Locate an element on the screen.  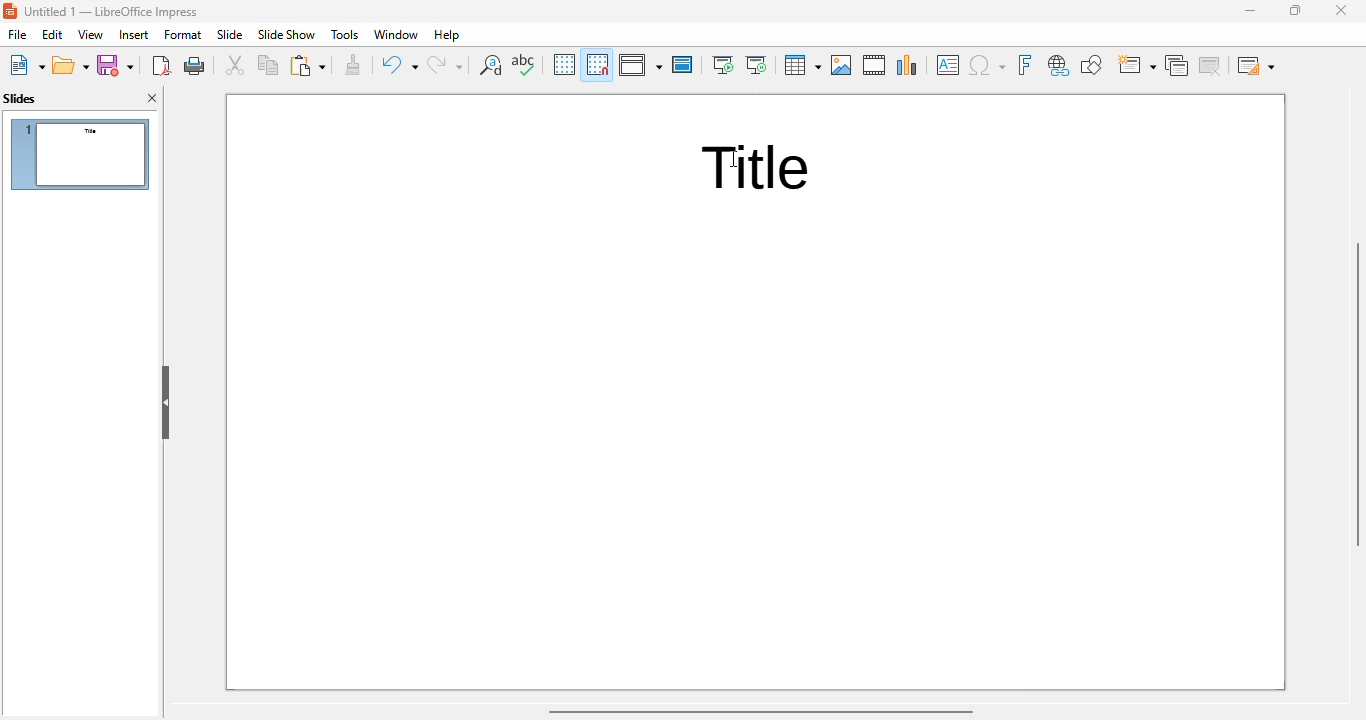
insert image is located at coordinates (842, 65).